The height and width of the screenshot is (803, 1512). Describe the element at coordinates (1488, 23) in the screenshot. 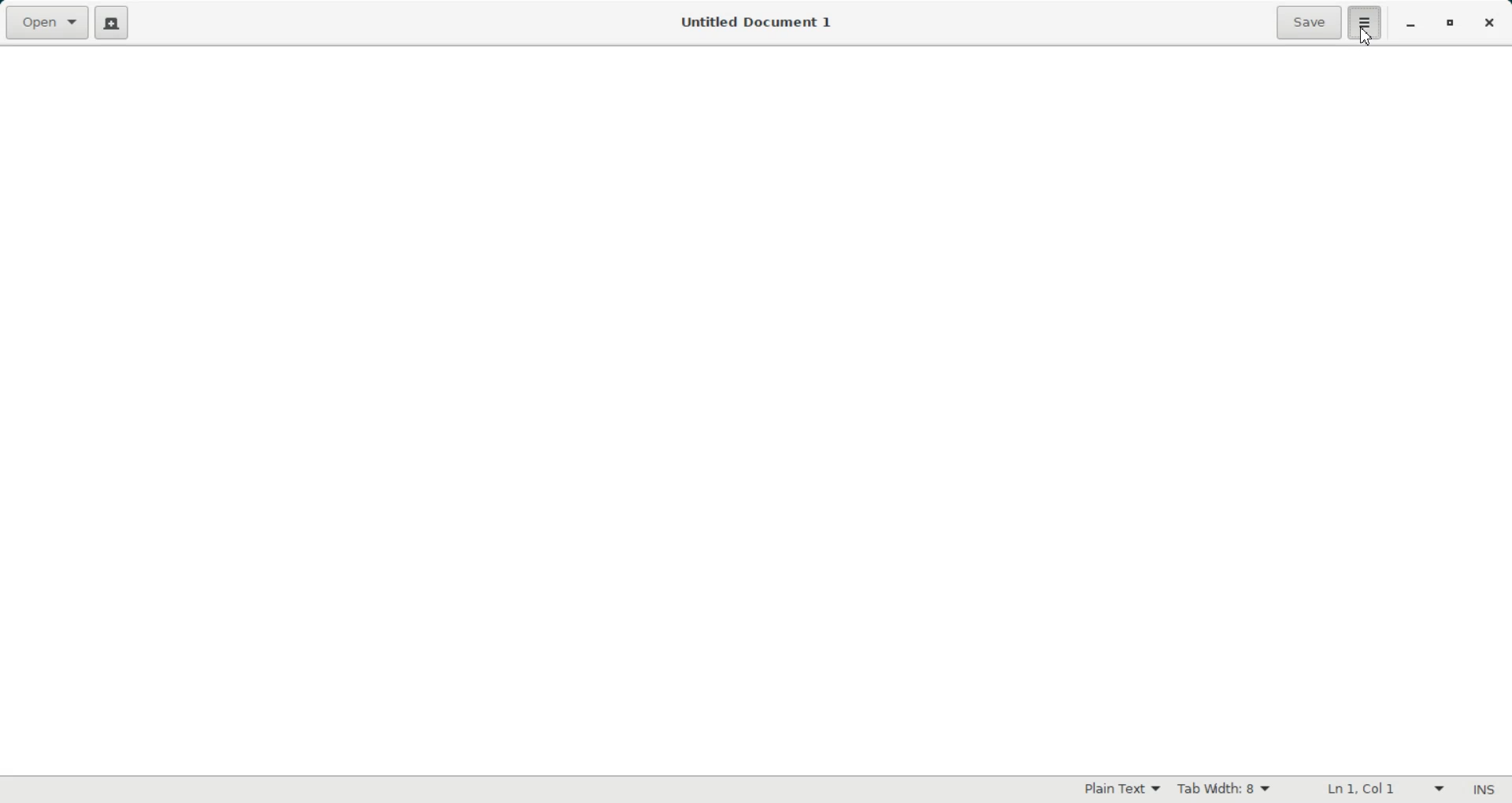

I see `Close` at that location.